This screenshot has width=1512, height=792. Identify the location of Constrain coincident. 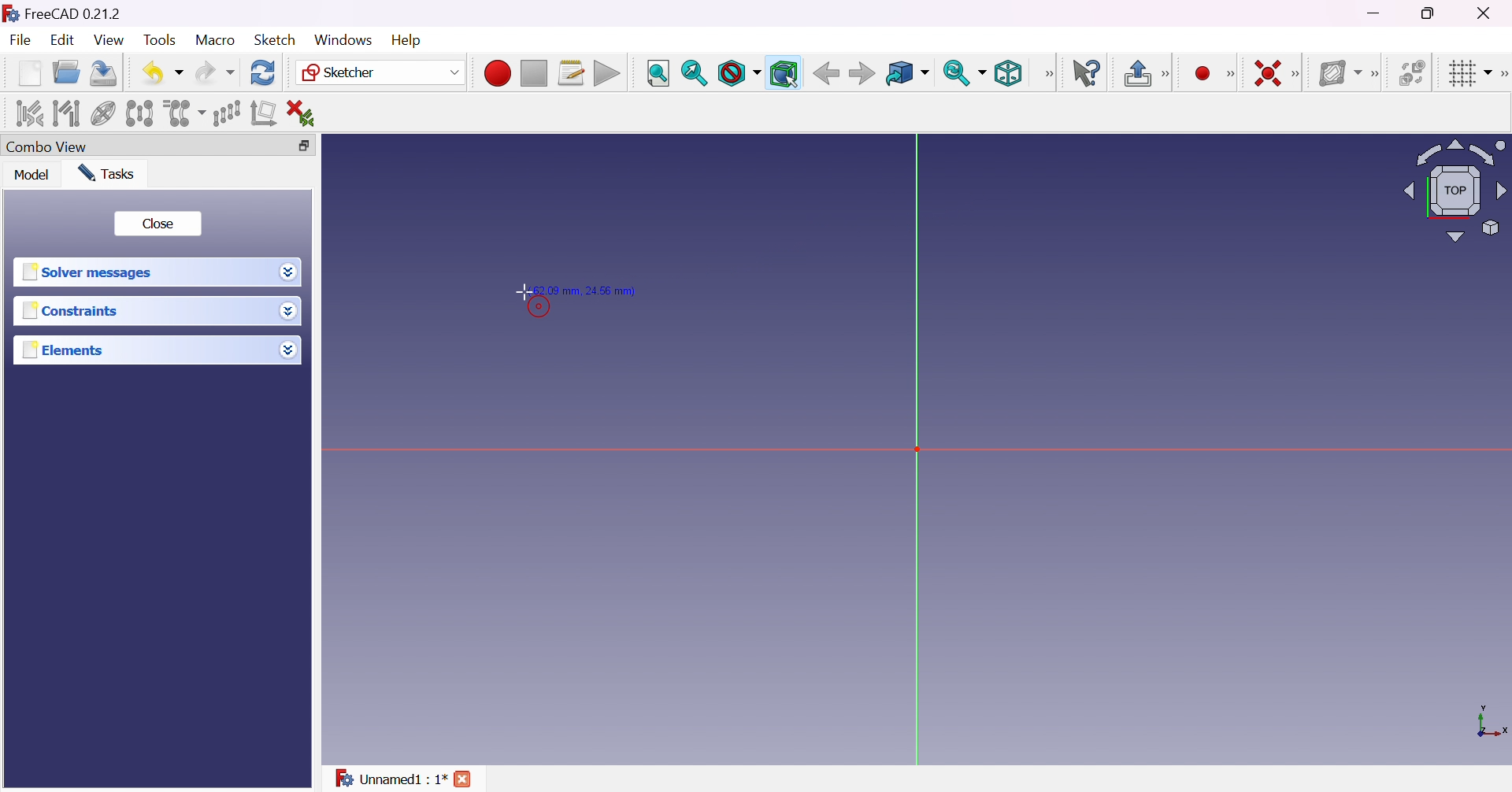
(1266, 73).